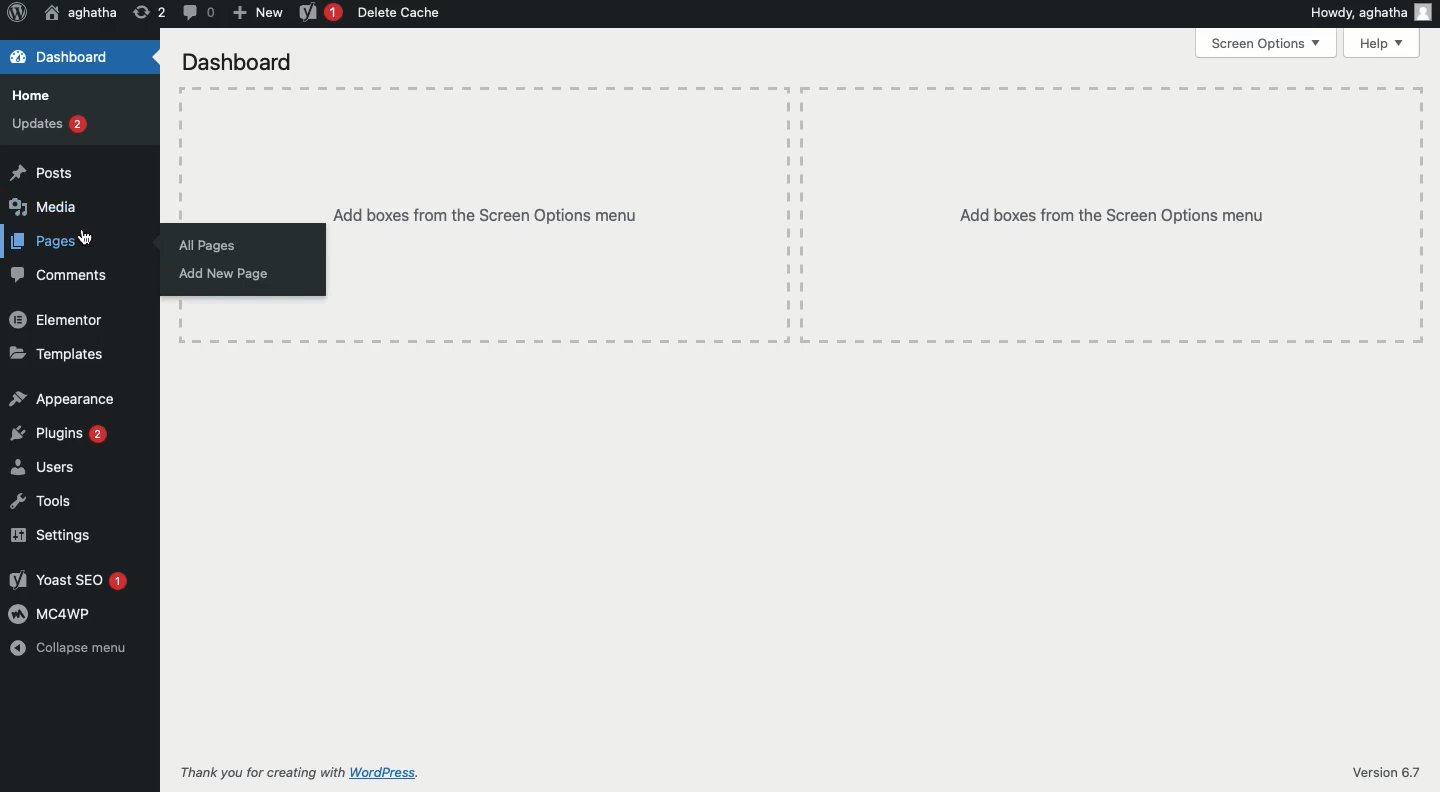  Describe the element at coordinates (68, 581) in the screenshot. I see `Yoast` at that location.